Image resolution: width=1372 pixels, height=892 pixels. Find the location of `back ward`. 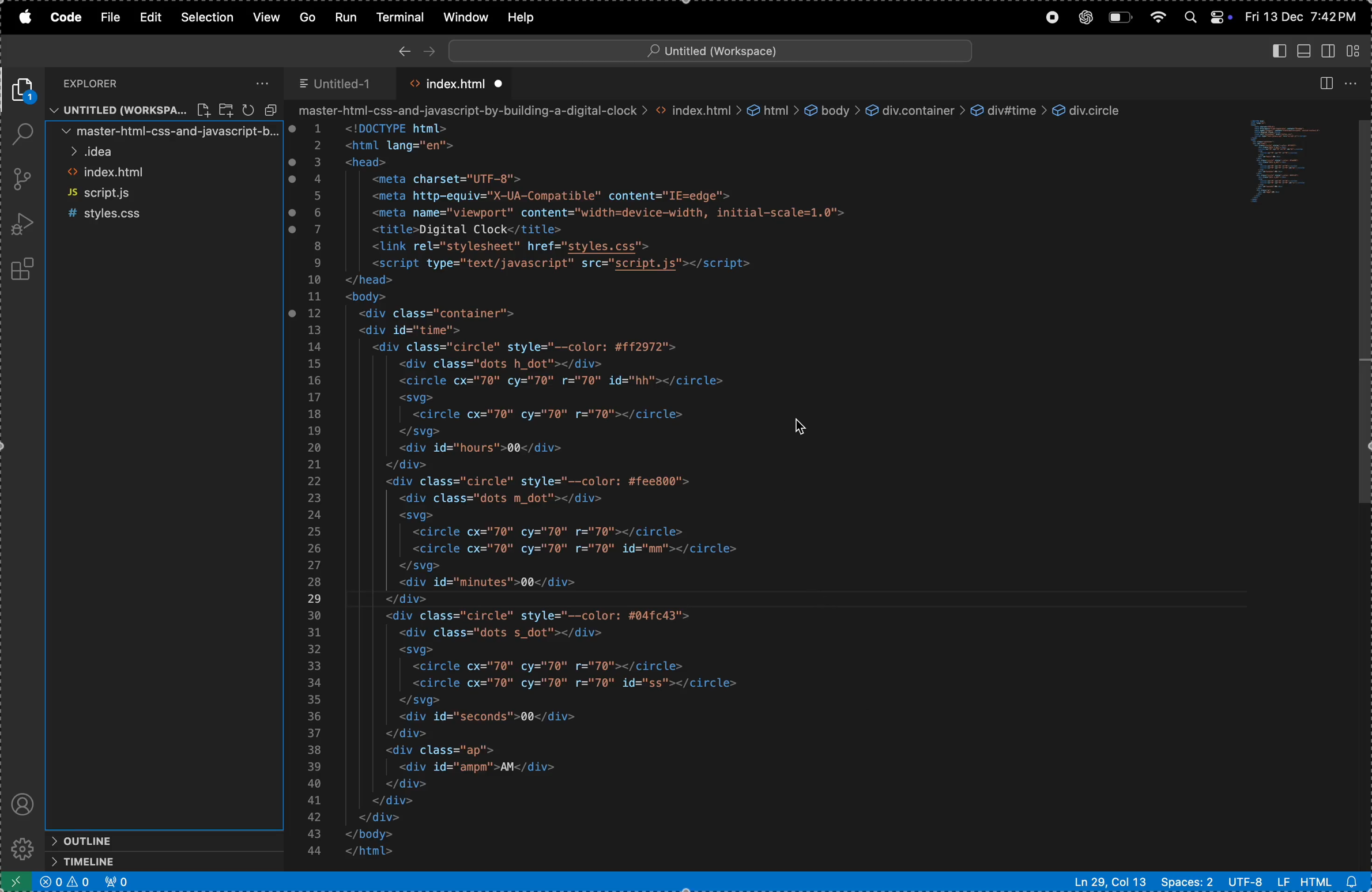

back ward is located at coordinates (404, 49).